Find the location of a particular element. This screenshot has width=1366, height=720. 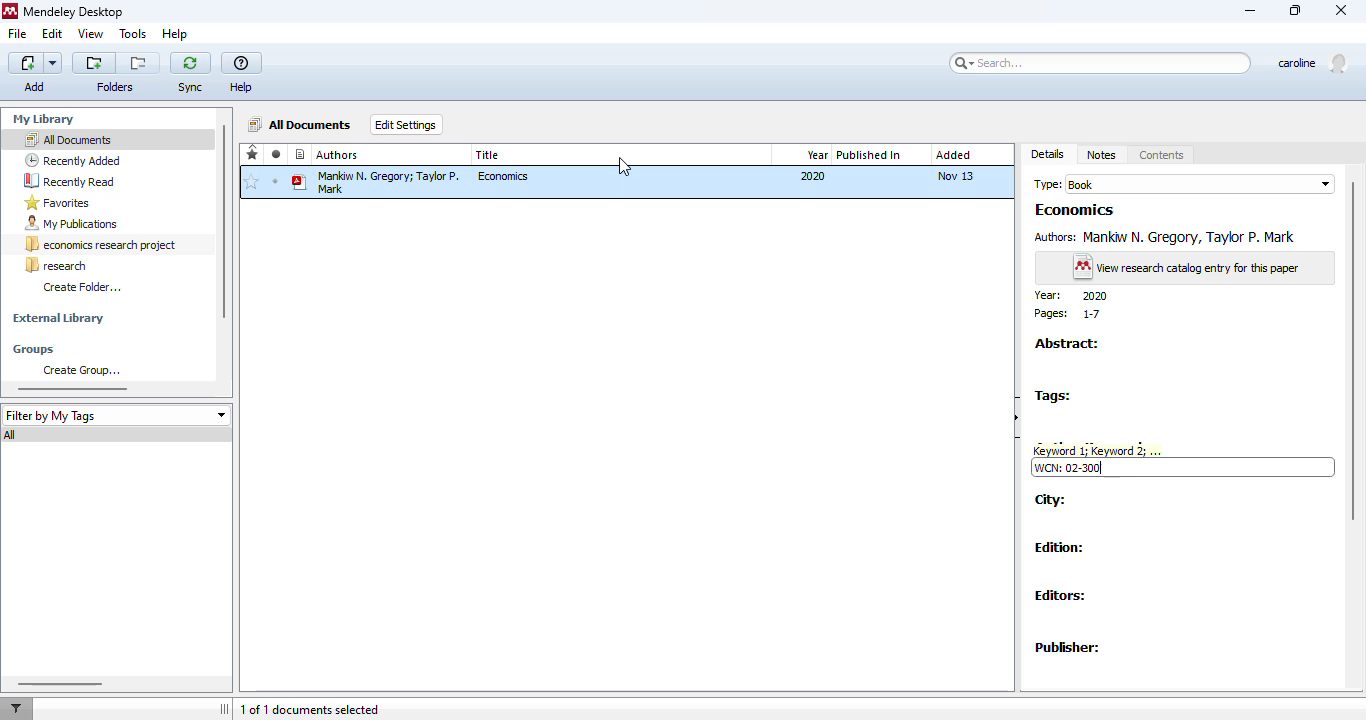

notes is located at coordinates (1103, 155).